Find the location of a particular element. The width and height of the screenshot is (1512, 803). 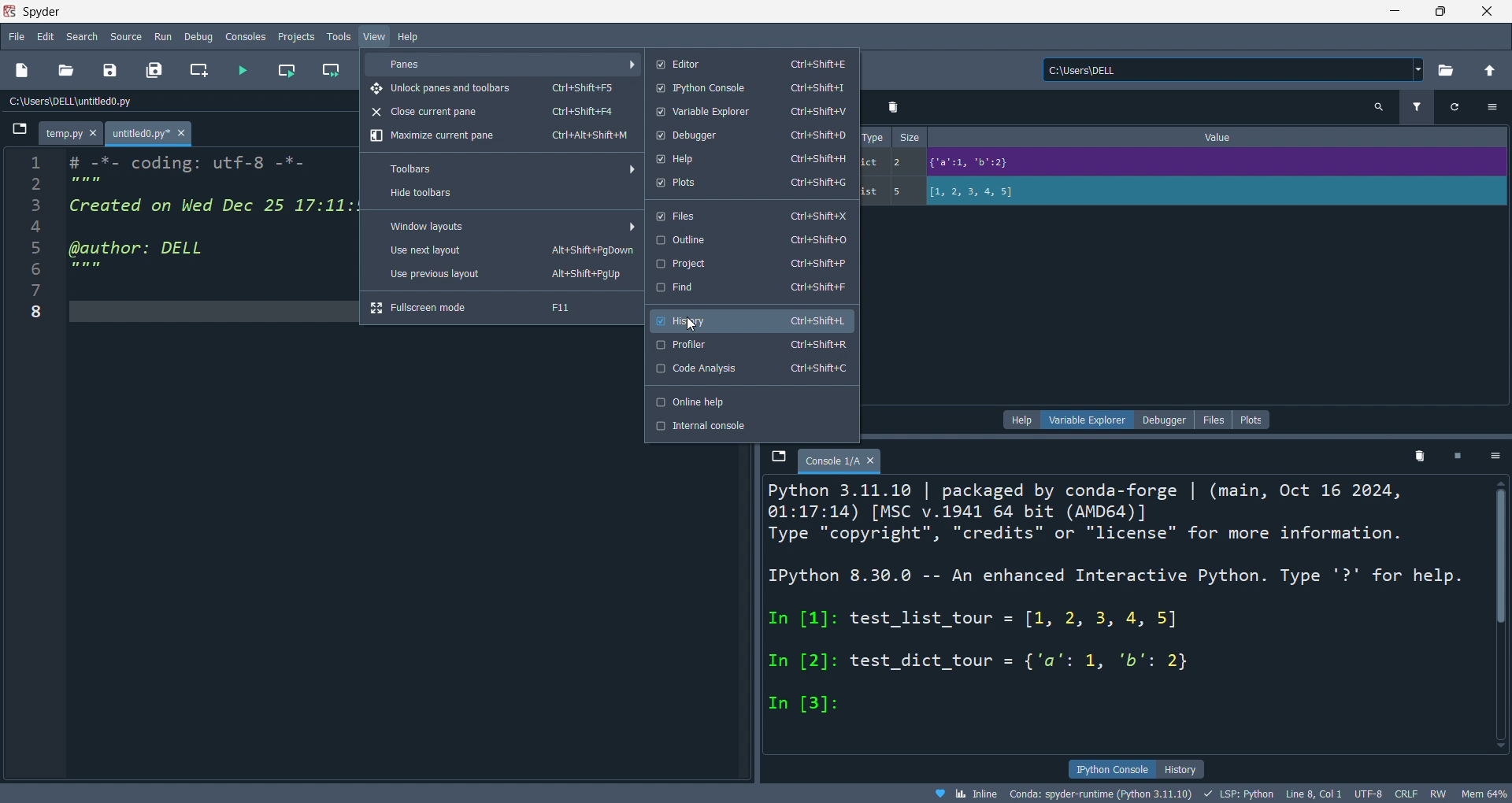

run cell and move is located at coordinates (335, 71).